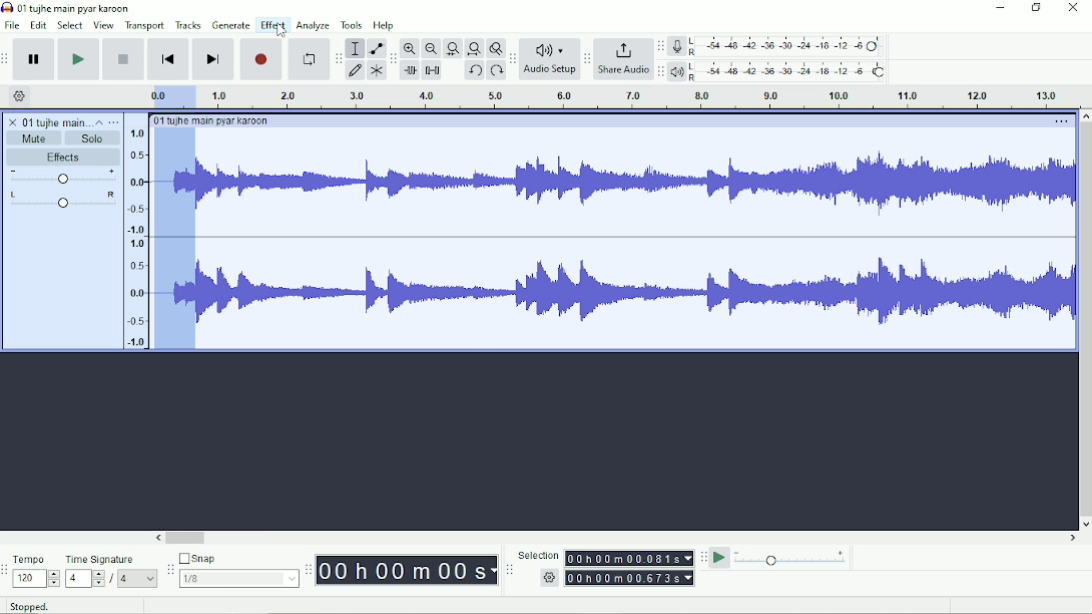  I want to click on 00 h 00 m 00.081s, so click(628, 558).